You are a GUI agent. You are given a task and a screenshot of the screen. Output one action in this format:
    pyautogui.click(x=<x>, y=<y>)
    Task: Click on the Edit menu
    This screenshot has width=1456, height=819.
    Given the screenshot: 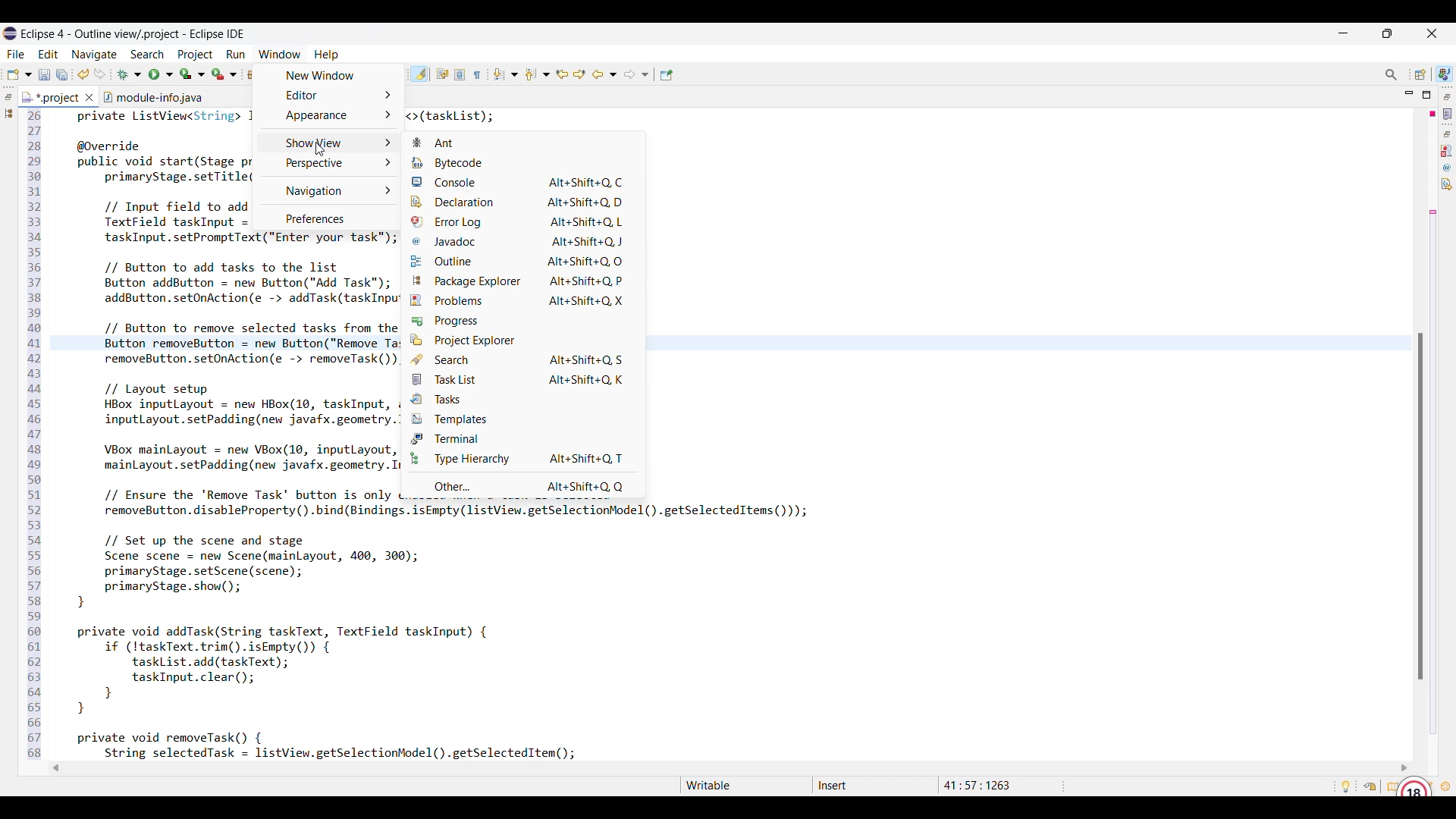 What is the action you would take?
    pyautogui.click(x=49, y=55)
    